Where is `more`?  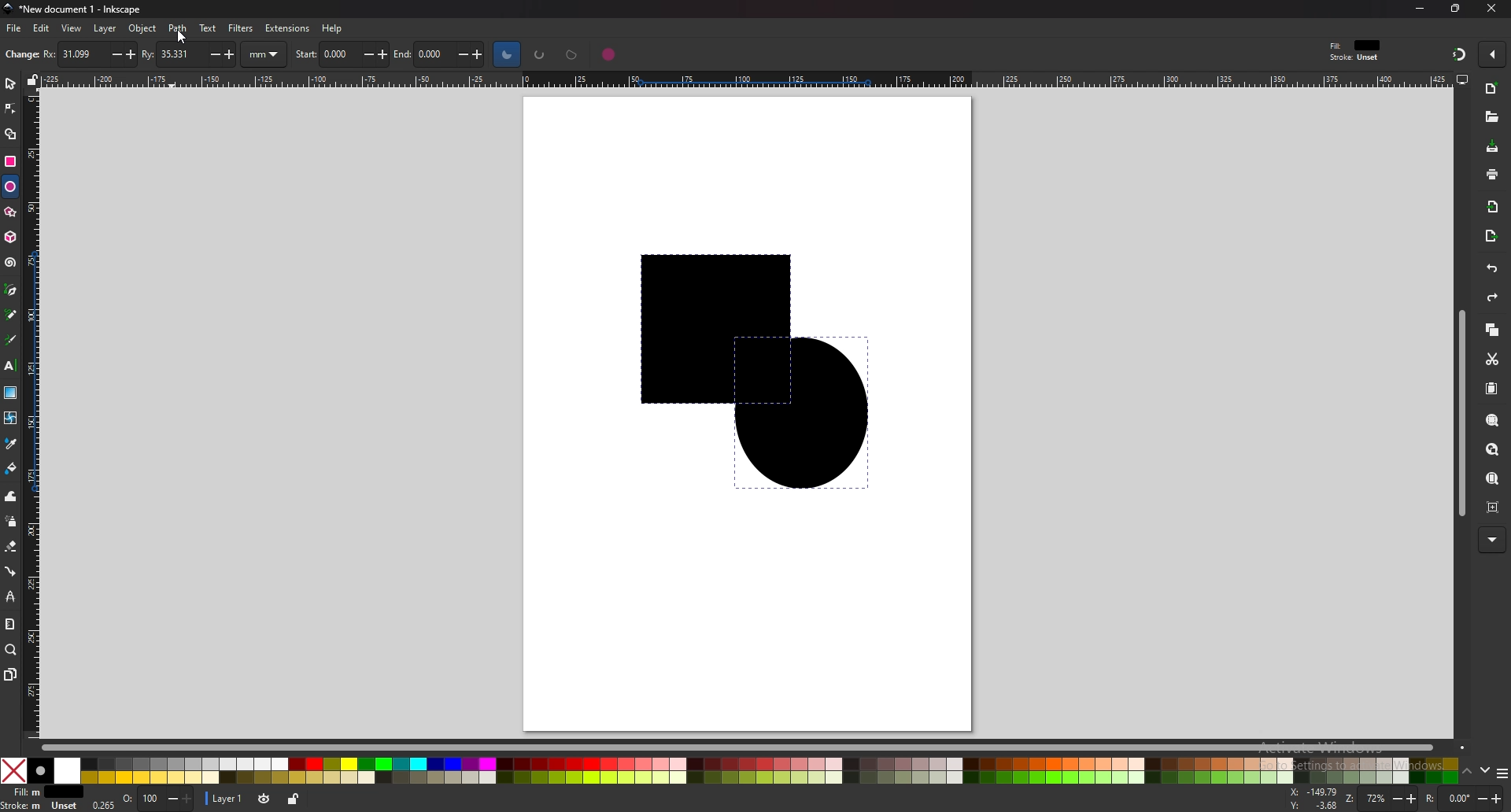 more is located at coordinates (1494, 540).